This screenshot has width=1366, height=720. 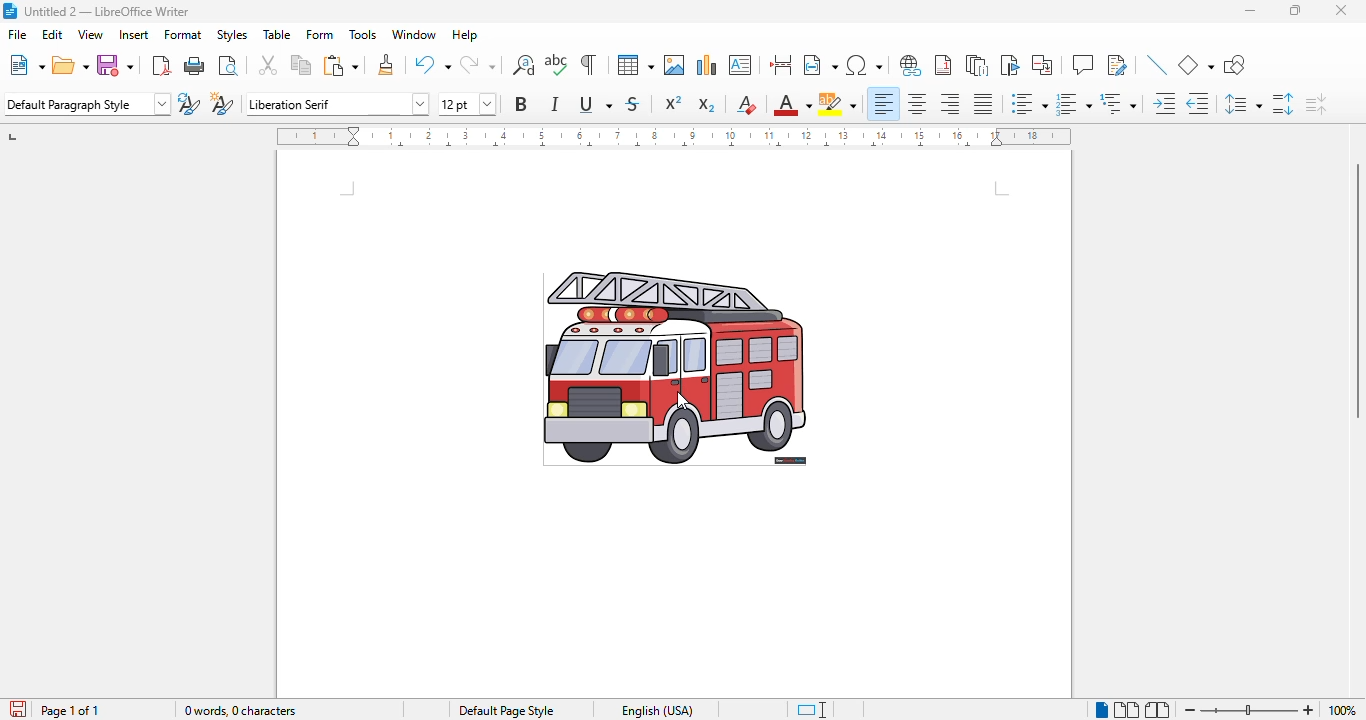 I want to click on table, so click(x=277, y=34).